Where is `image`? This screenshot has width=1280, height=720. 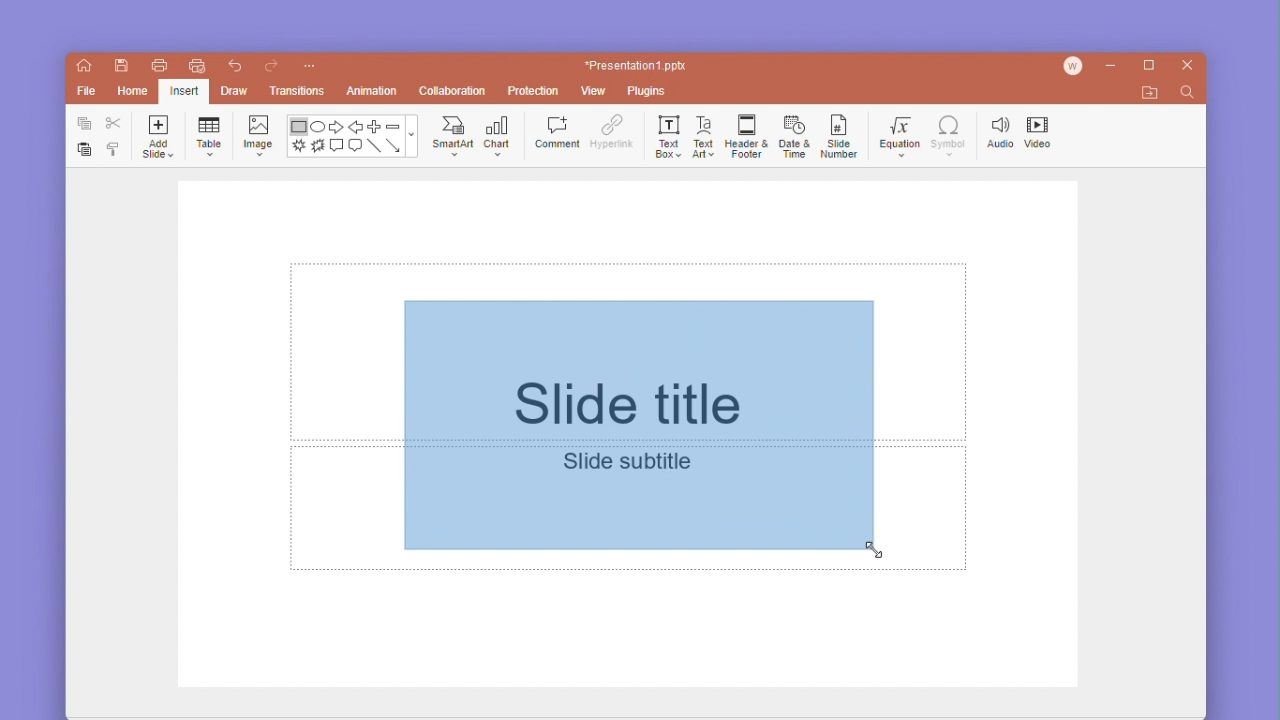
image is located at coordinates (258, 135).